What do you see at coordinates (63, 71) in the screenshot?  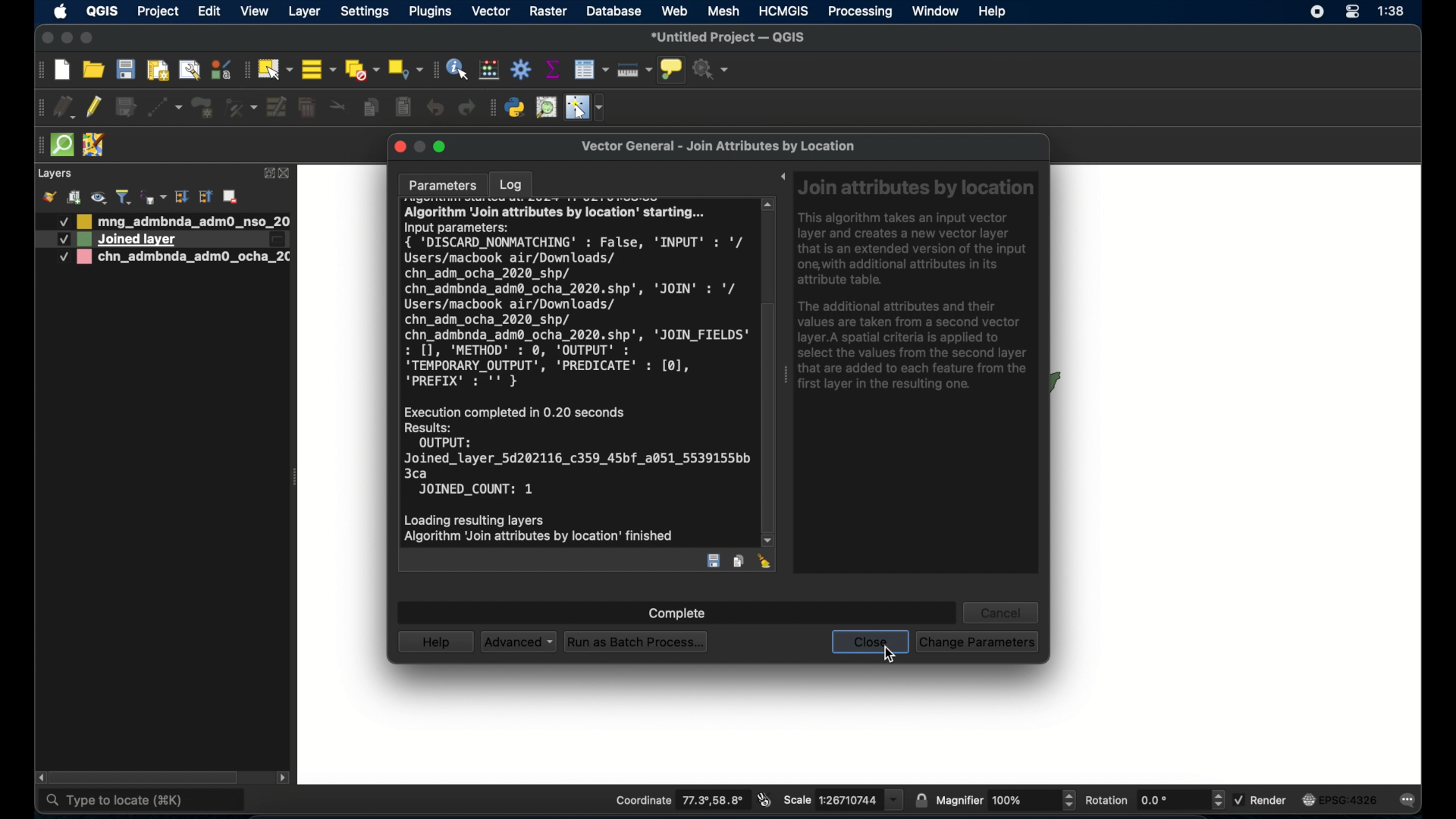 I see `new project` at bounding box center [63, 71].